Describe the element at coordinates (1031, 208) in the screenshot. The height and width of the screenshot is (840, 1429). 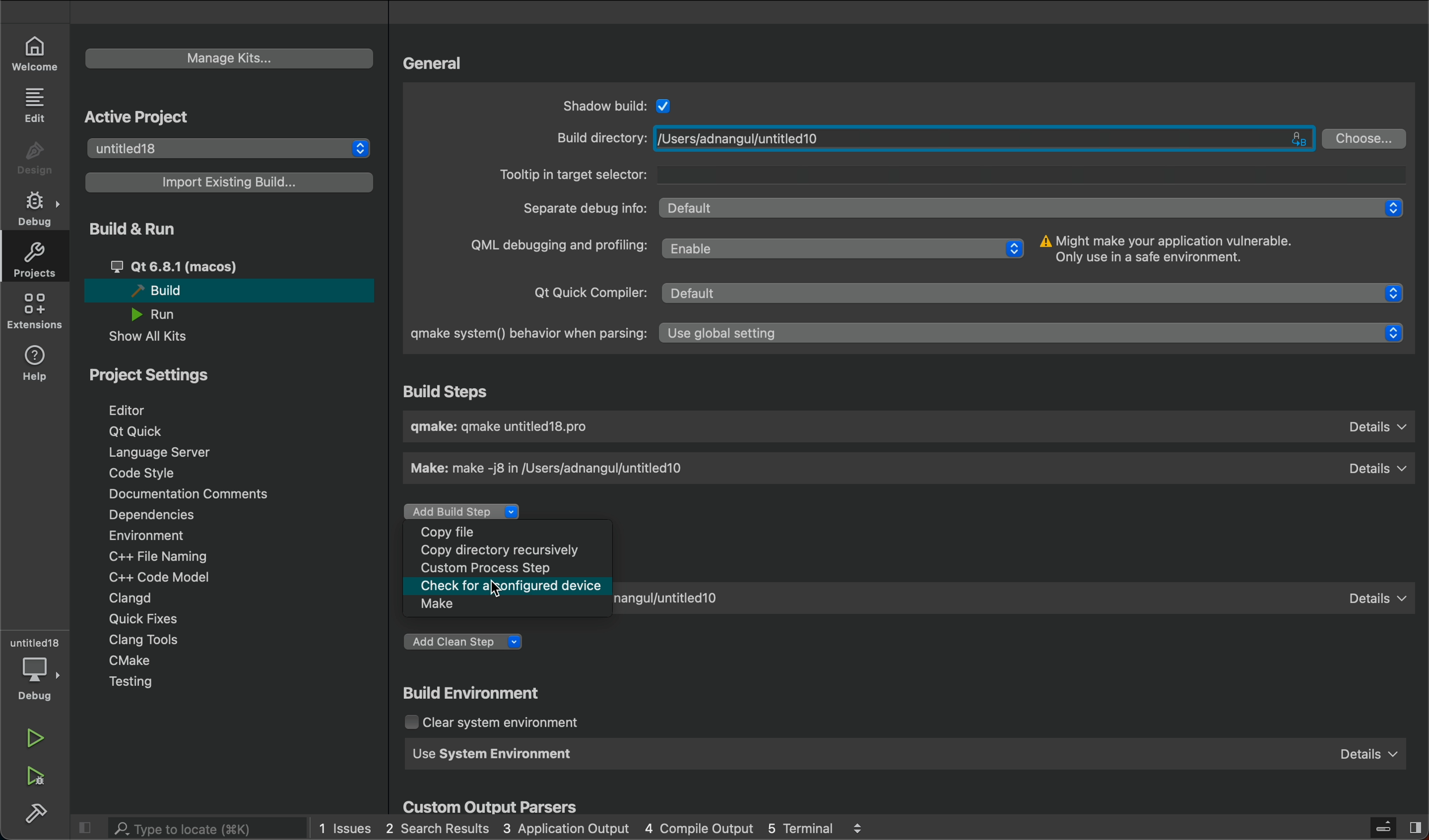
I see `Default` at that location.